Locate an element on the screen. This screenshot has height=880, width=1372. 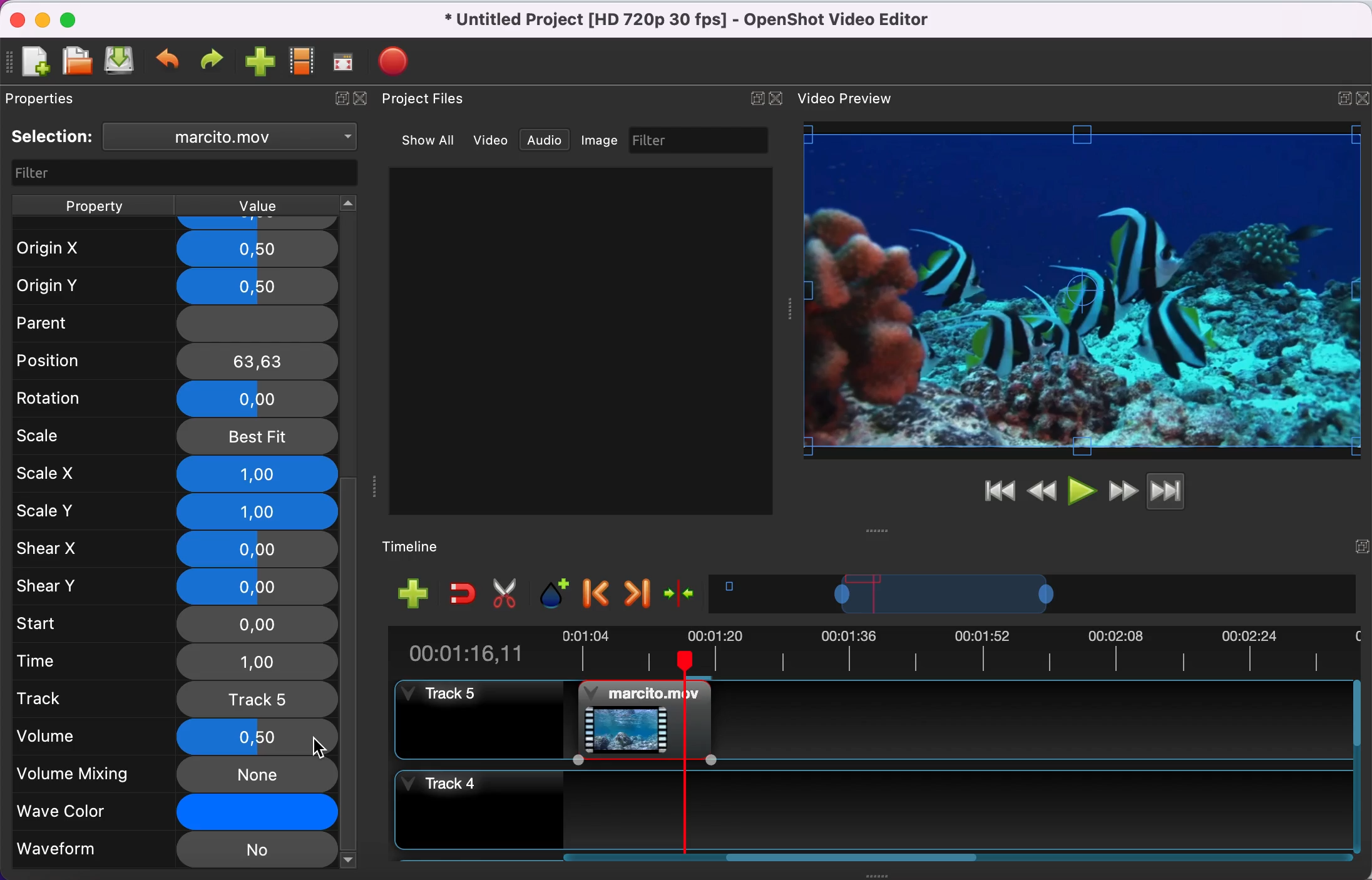
expand/hide is located at coordinates (754, 98).